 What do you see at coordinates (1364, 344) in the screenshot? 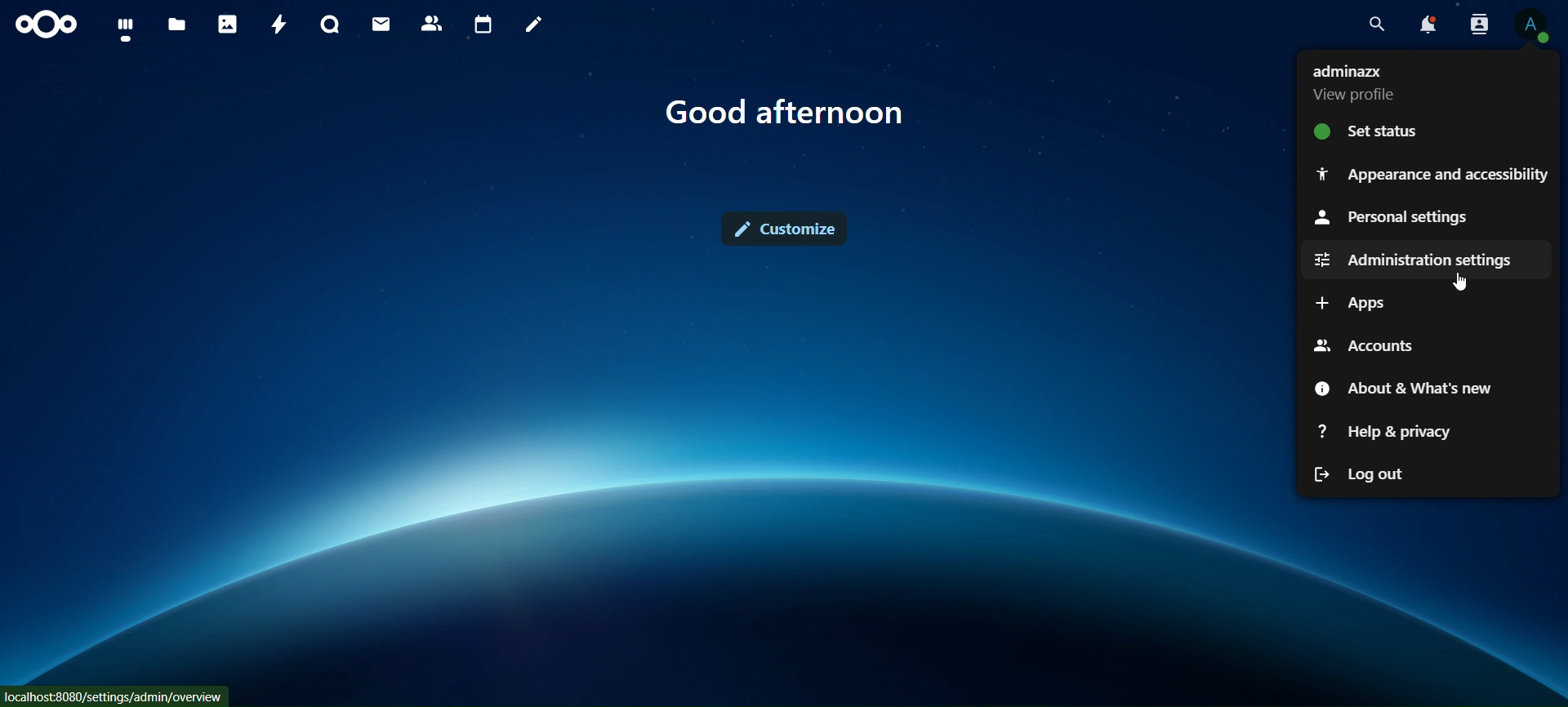
I see `accounts` at bounding box center [1364, 344].